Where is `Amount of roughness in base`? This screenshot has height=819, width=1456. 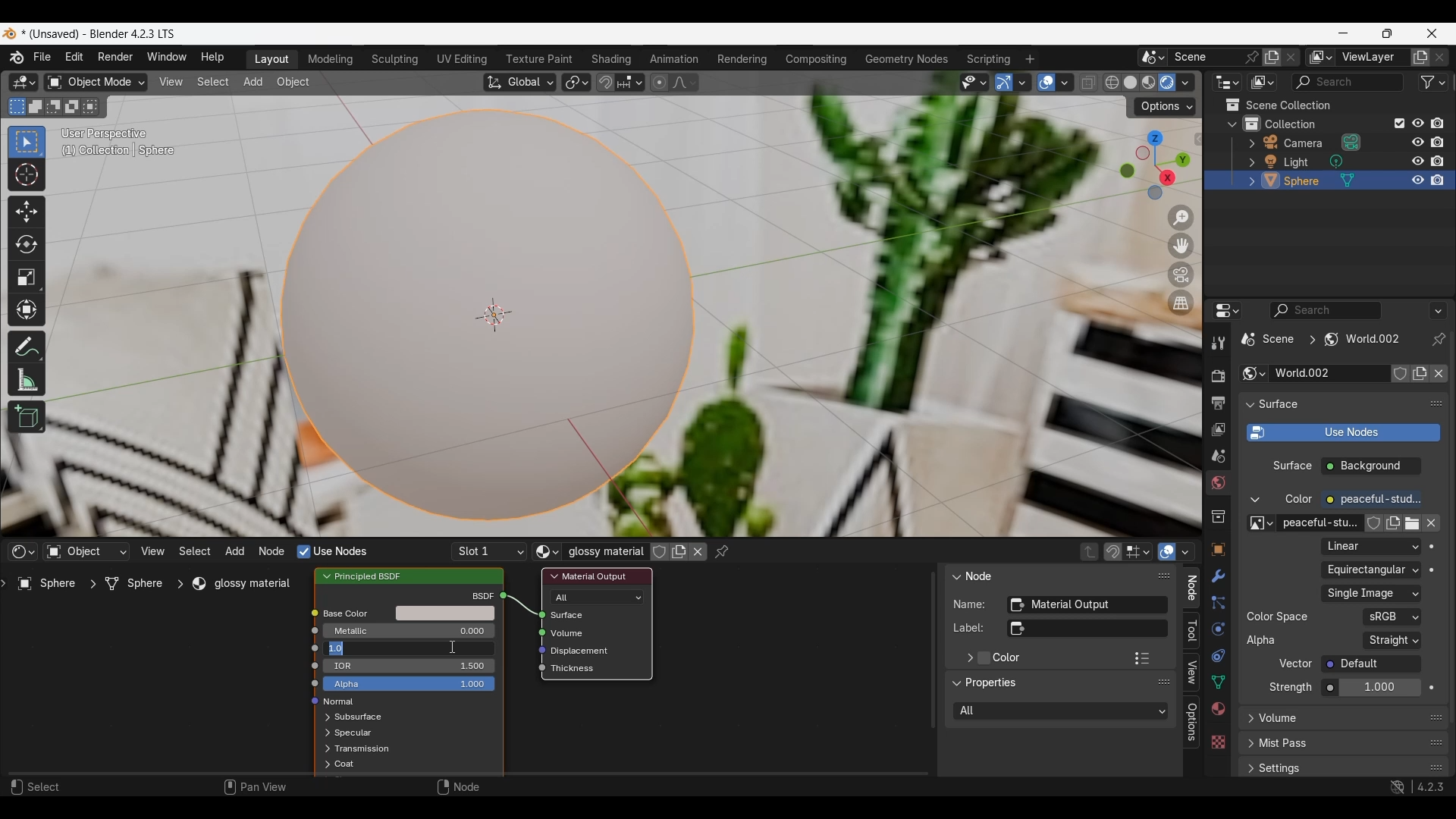 Amount of roughness in base is located at coordinates (409, 648).